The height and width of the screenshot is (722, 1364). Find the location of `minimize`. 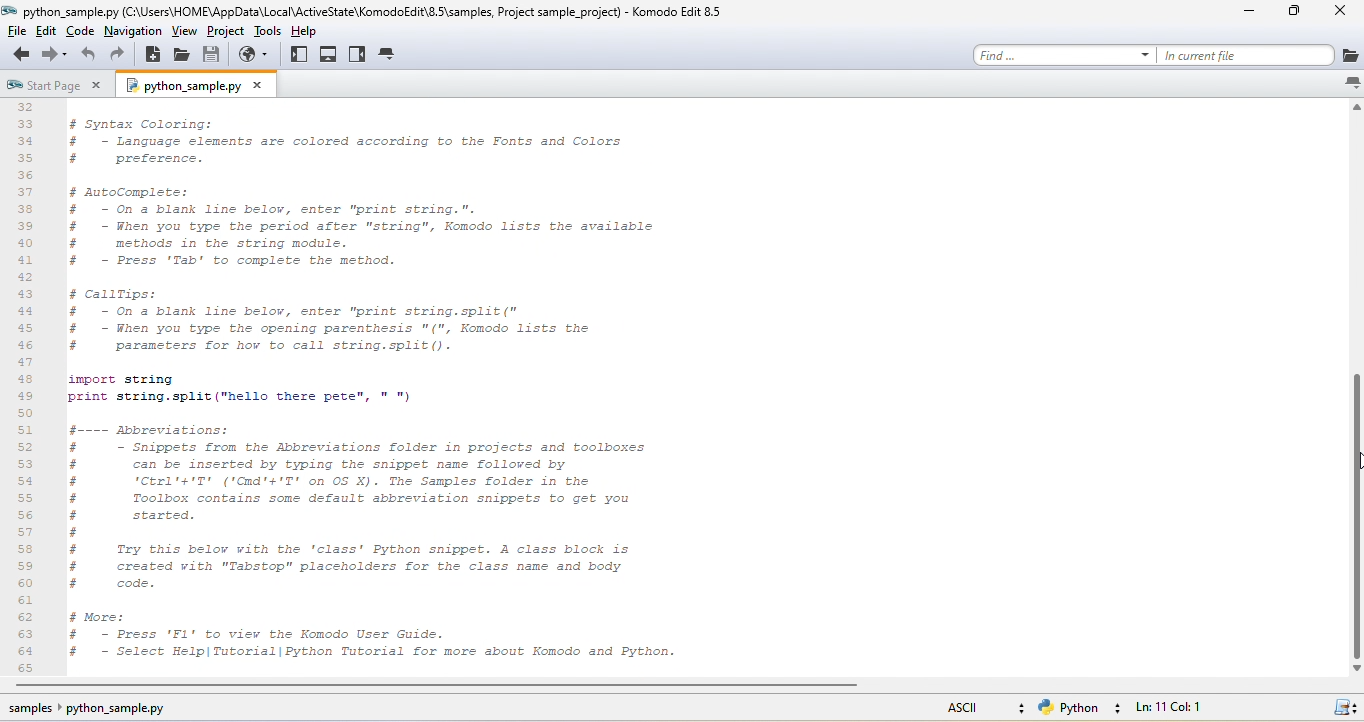

minimize is located at coordinates (1242, 15).